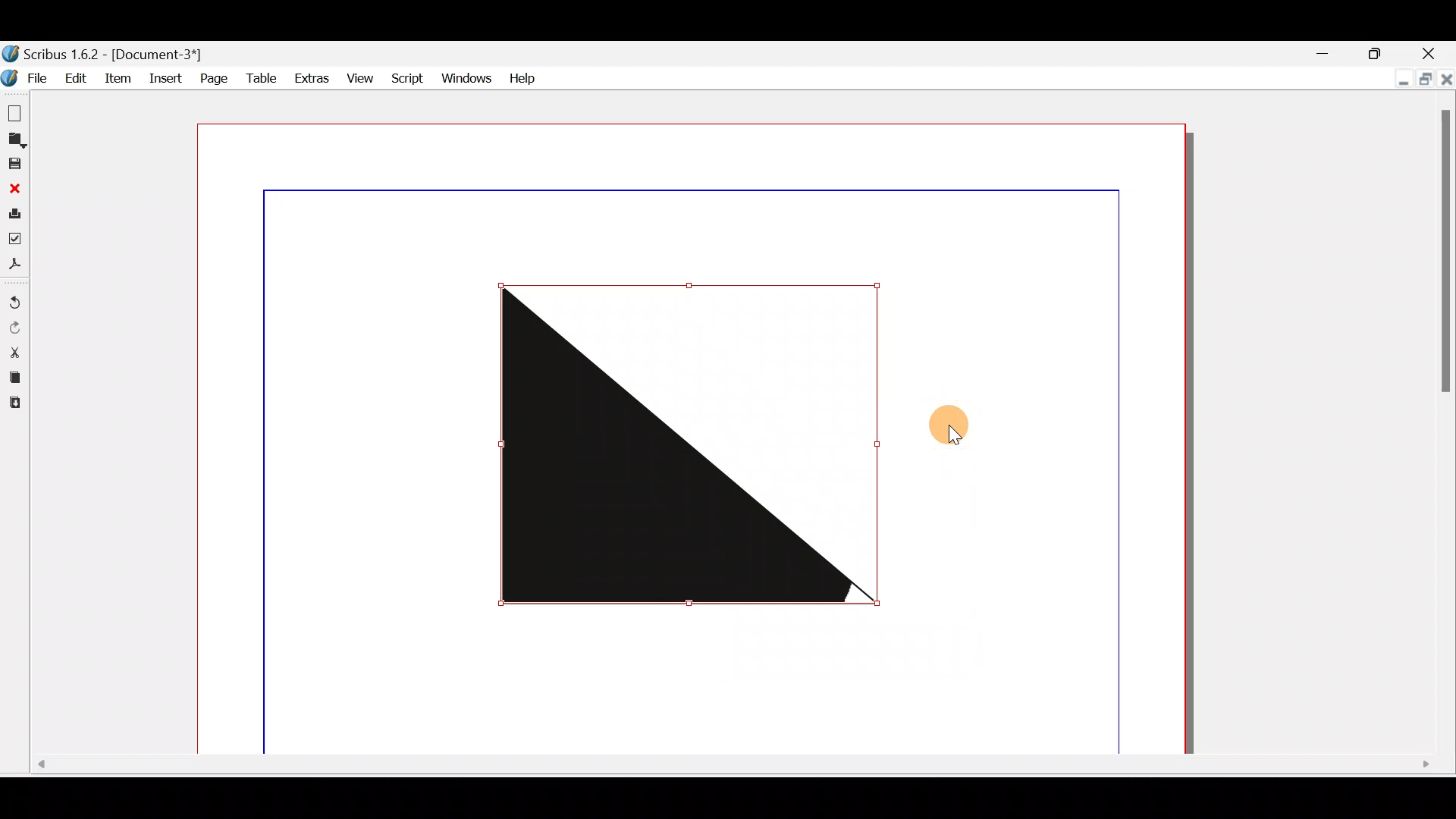 This screenshot has height=819, width=1456. I want to click on Undo, so click(17, 297).